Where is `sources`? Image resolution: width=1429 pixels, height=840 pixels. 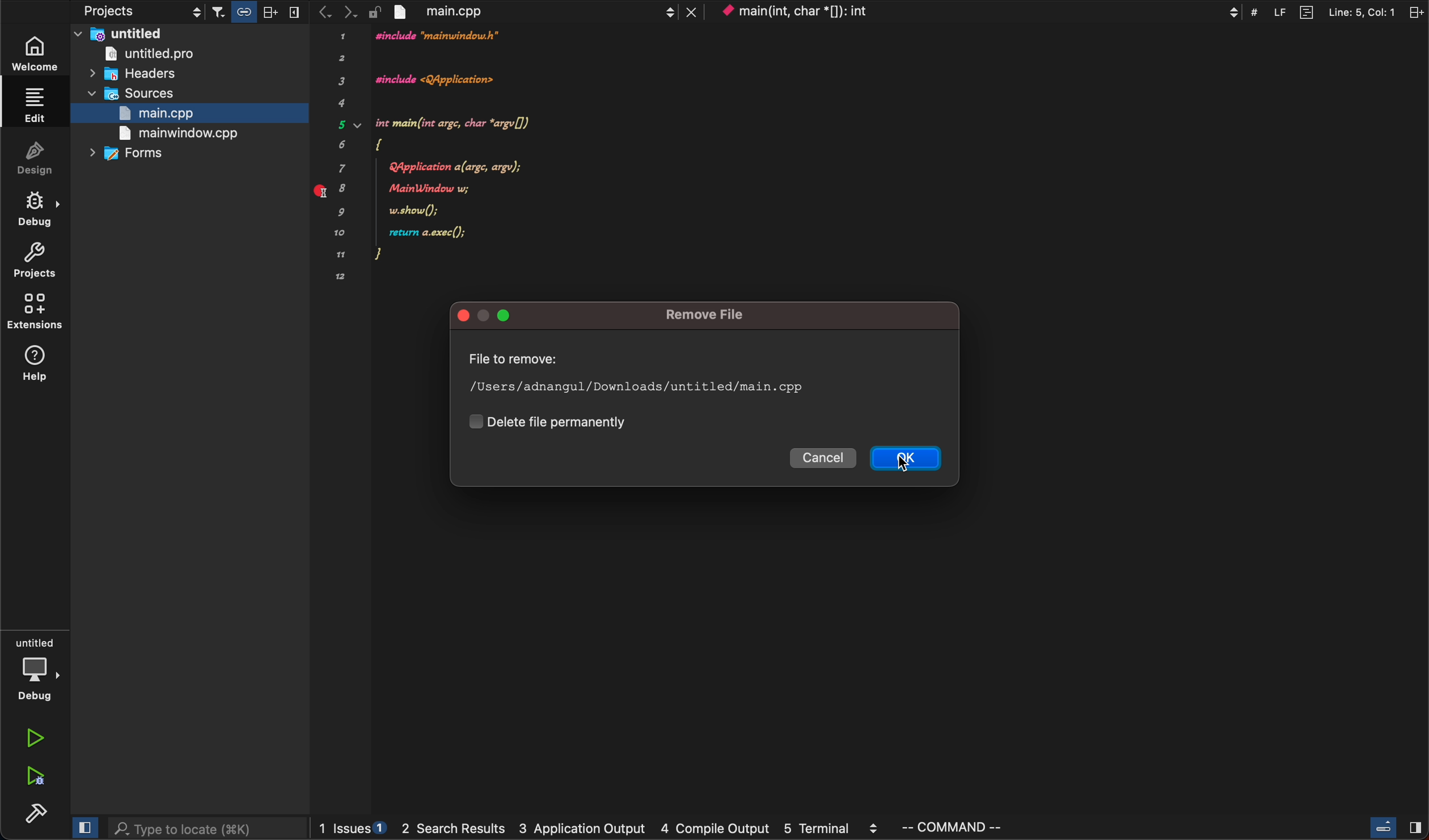 sources is located at coordinates (133, 94).